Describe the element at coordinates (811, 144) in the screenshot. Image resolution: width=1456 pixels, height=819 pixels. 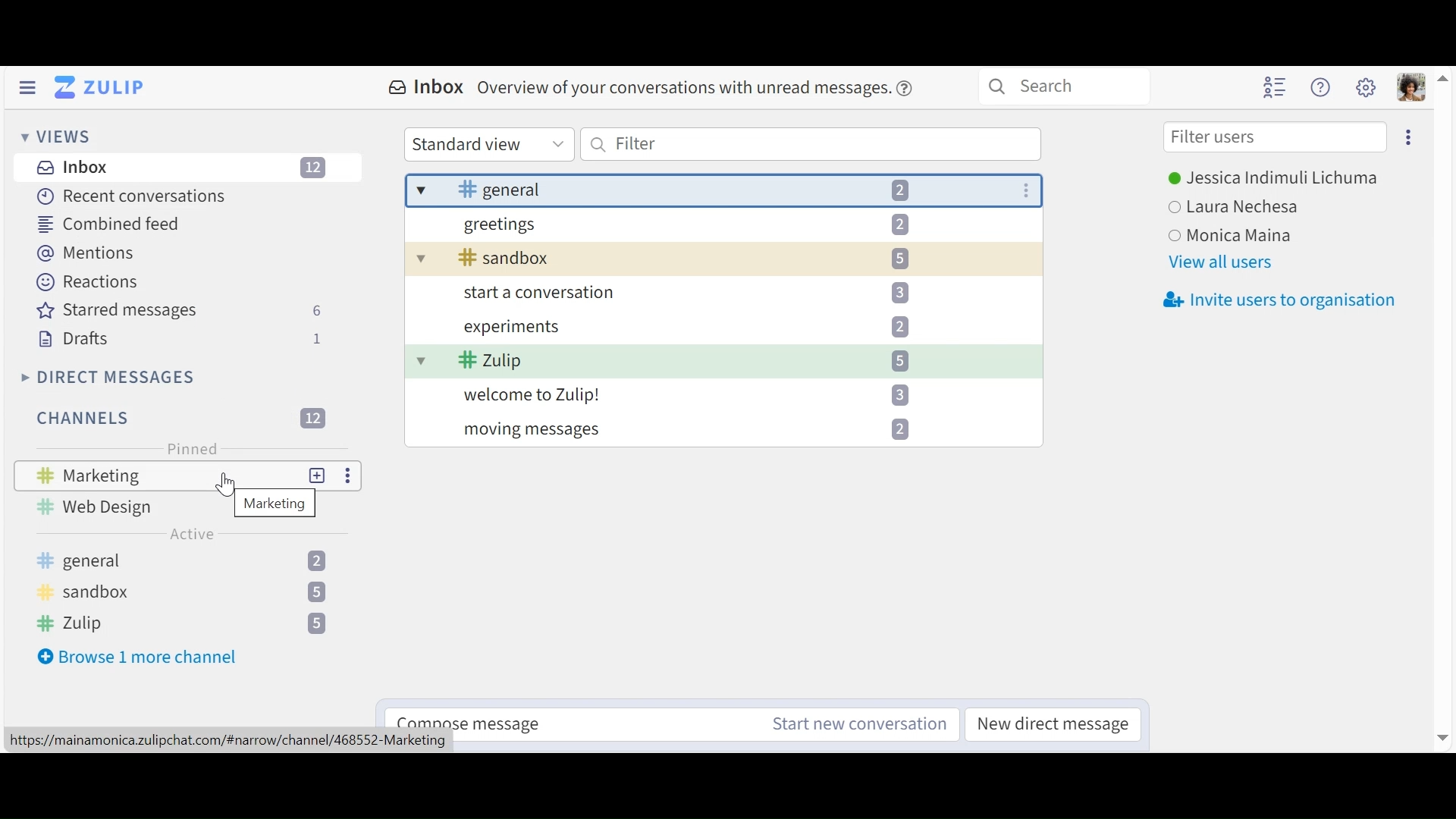
I see `Filter` at that location.